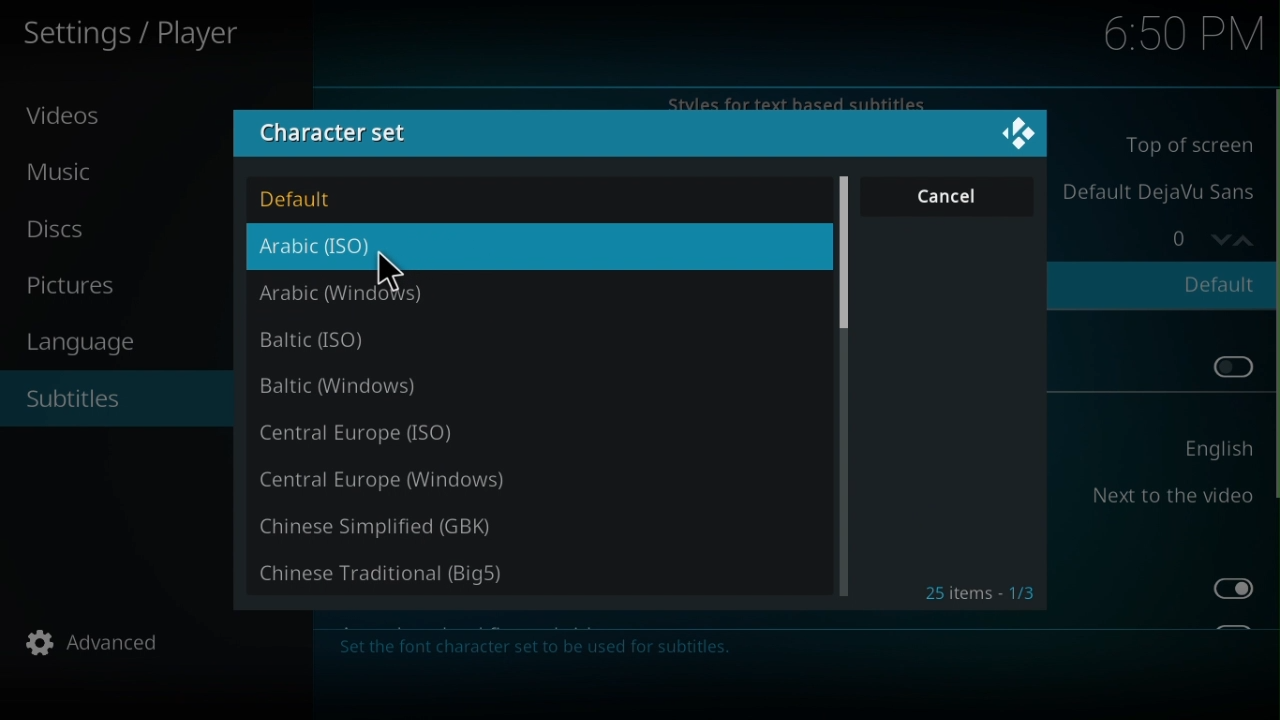 The height and width of the screenshot is (720, 1280). What do you see at coordinates (359, 386) in the screenshot?
I see `Baltic (windows)` at bounding box center [359, 386].